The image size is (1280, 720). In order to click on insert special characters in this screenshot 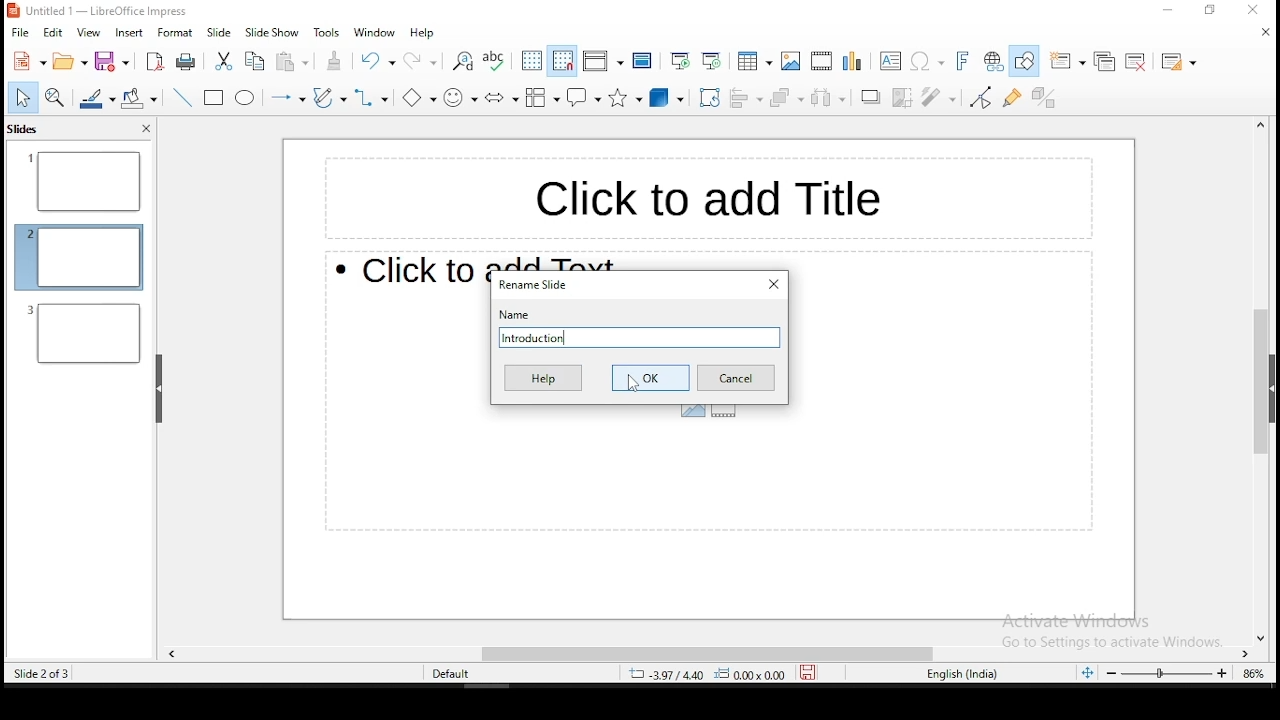, I will do `click(928, 61)`.